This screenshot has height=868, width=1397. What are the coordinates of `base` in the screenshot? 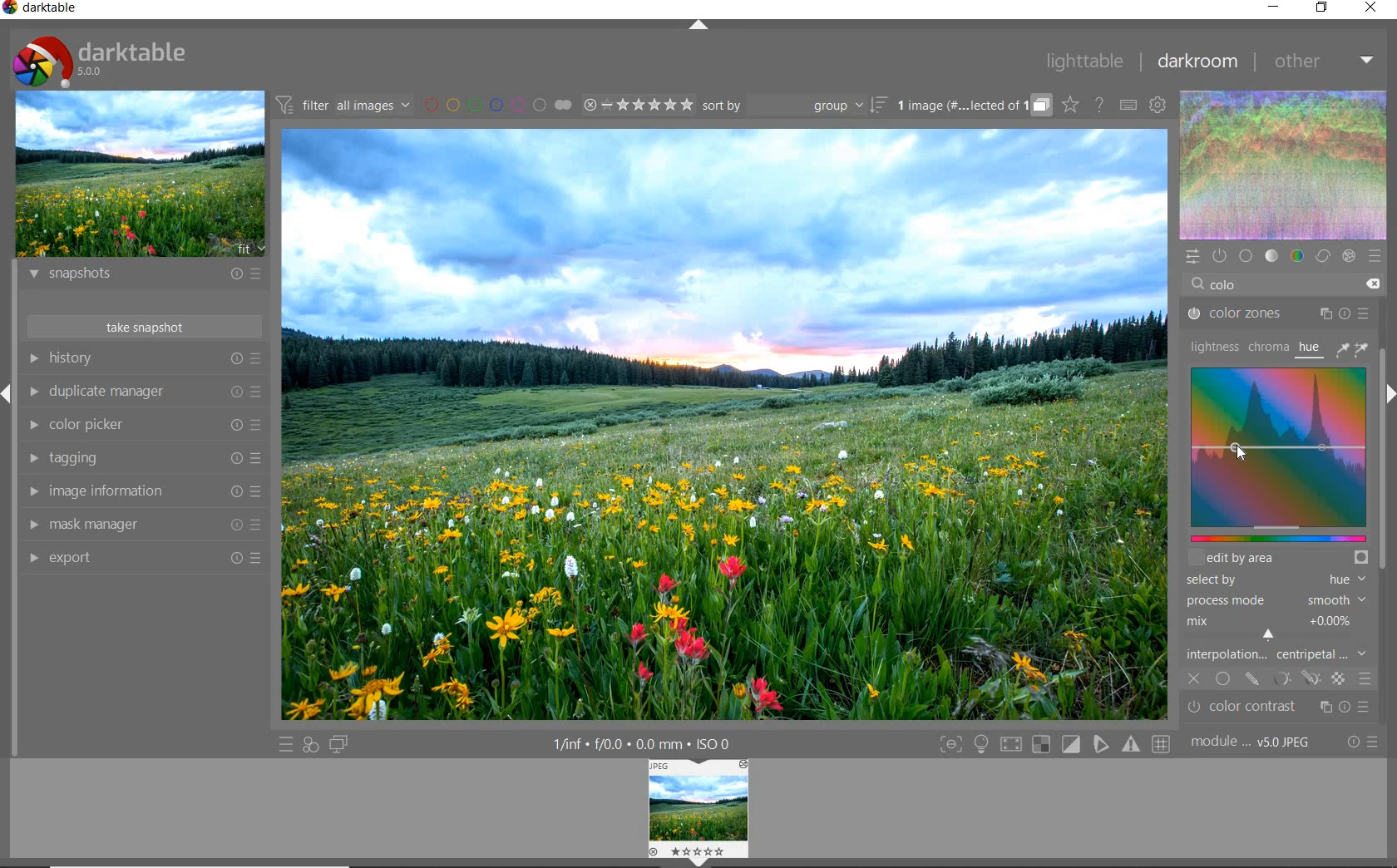 It's located at (1246, 256).